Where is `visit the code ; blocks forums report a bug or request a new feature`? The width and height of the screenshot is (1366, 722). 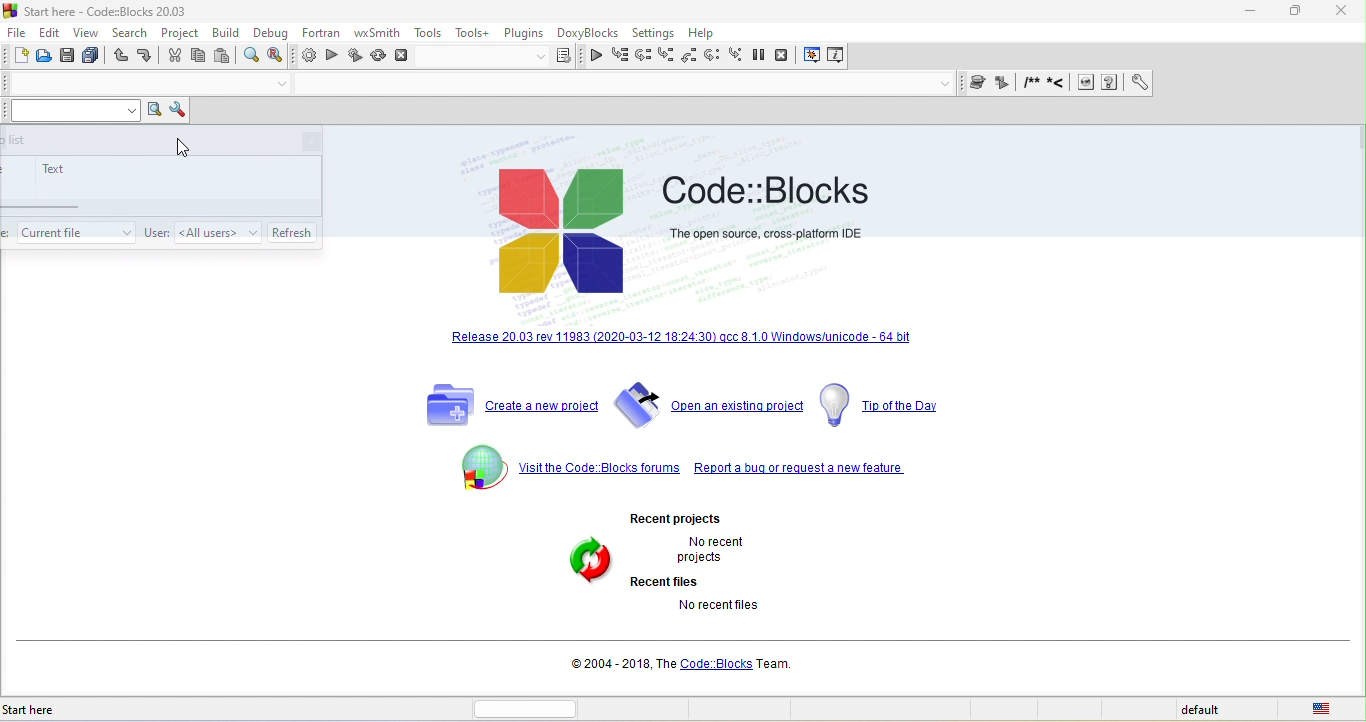
visit the code ; blocks forums report a bug or request a new feature is located at coordinates (683, 469).